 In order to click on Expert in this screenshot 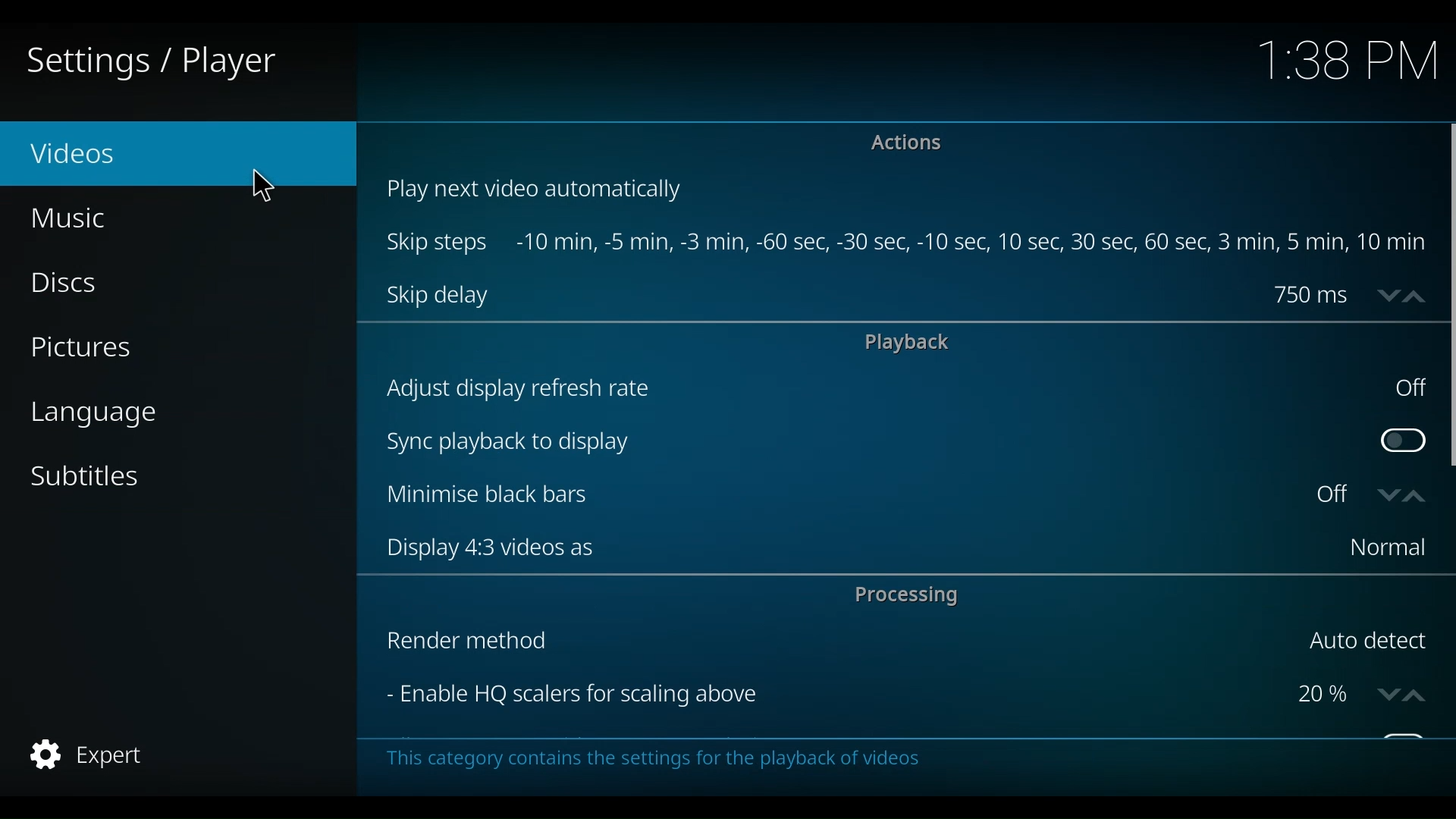, I will do `click(90, 755)`.